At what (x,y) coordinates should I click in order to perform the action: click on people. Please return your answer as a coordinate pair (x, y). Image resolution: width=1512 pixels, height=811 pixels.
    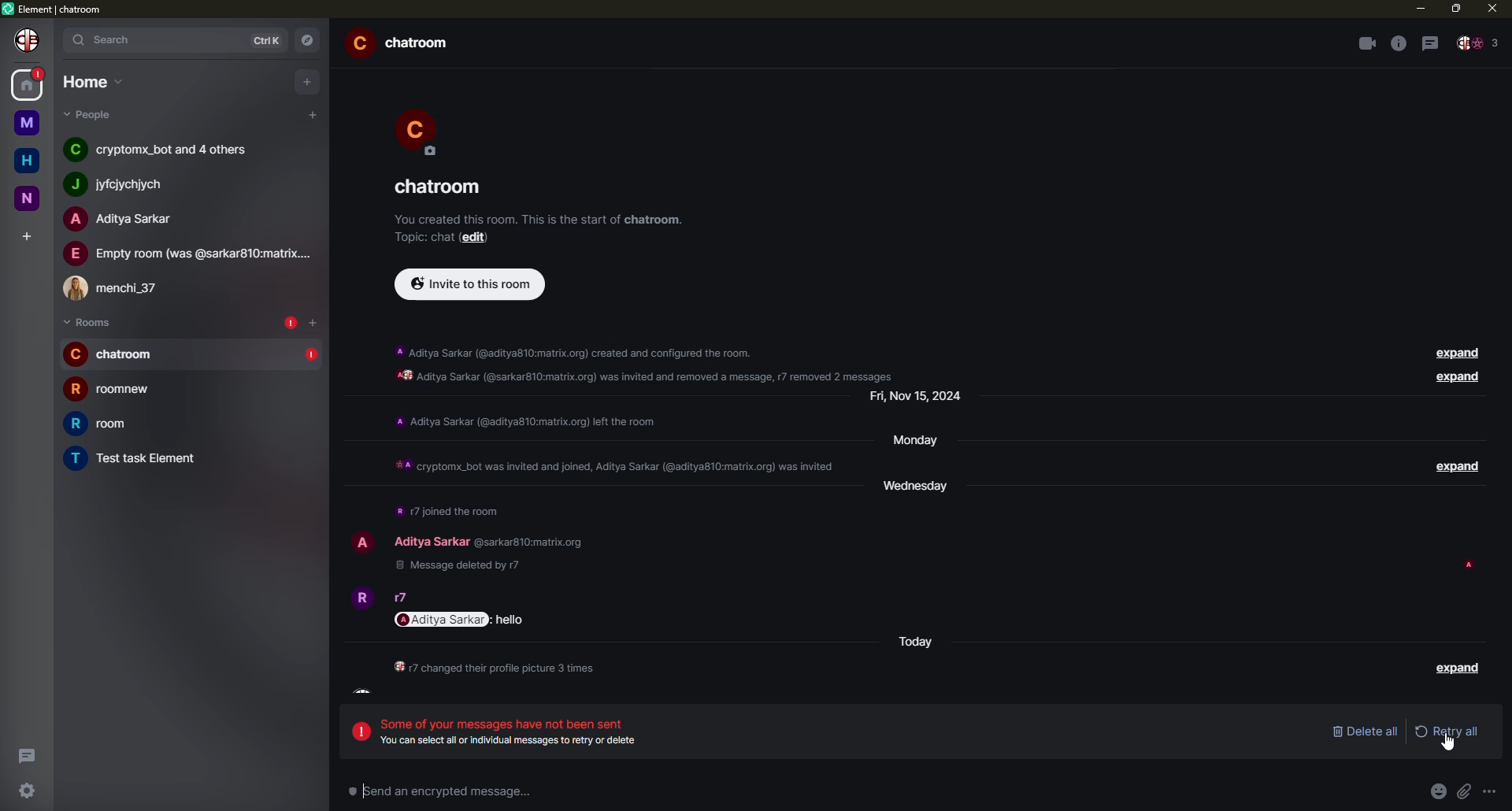
    Looking at the image, I should click on (120, 289).